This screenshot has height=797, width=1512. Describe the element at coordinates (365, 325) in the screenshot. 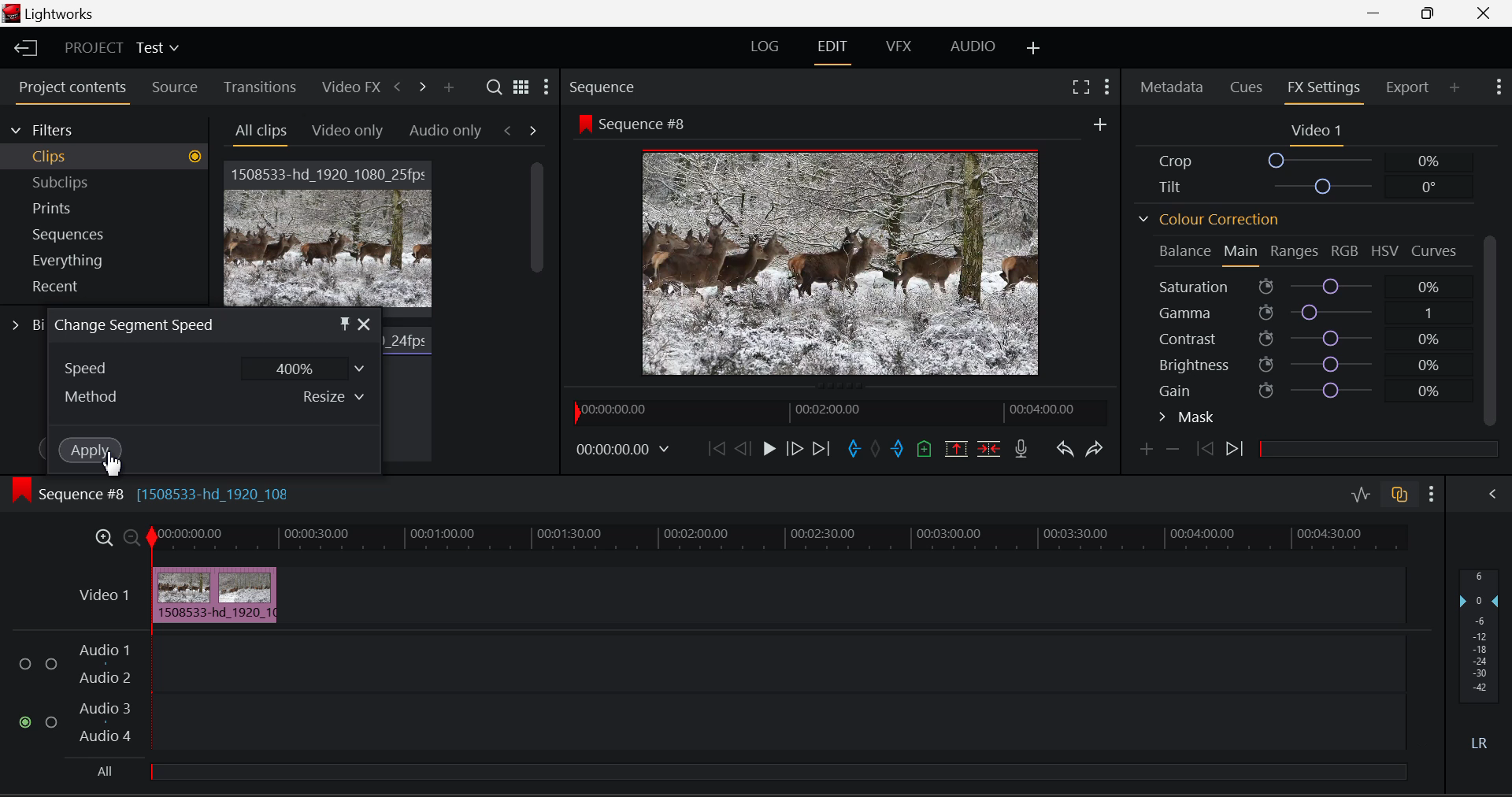

I see `Close` at that location.